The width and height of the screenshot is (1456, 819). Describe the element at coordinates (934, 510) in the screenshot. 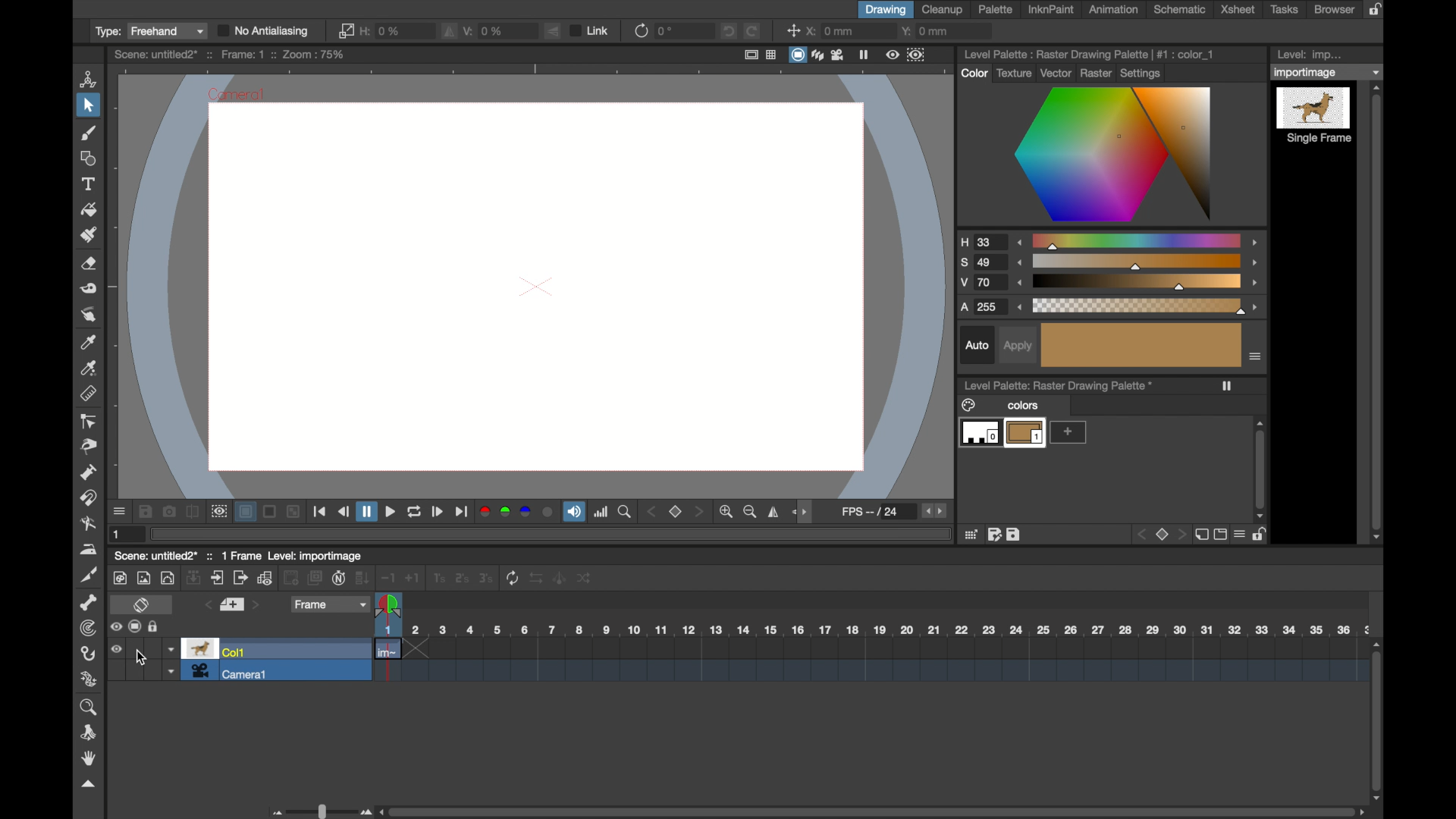

I see `stepper buttons` at that location.